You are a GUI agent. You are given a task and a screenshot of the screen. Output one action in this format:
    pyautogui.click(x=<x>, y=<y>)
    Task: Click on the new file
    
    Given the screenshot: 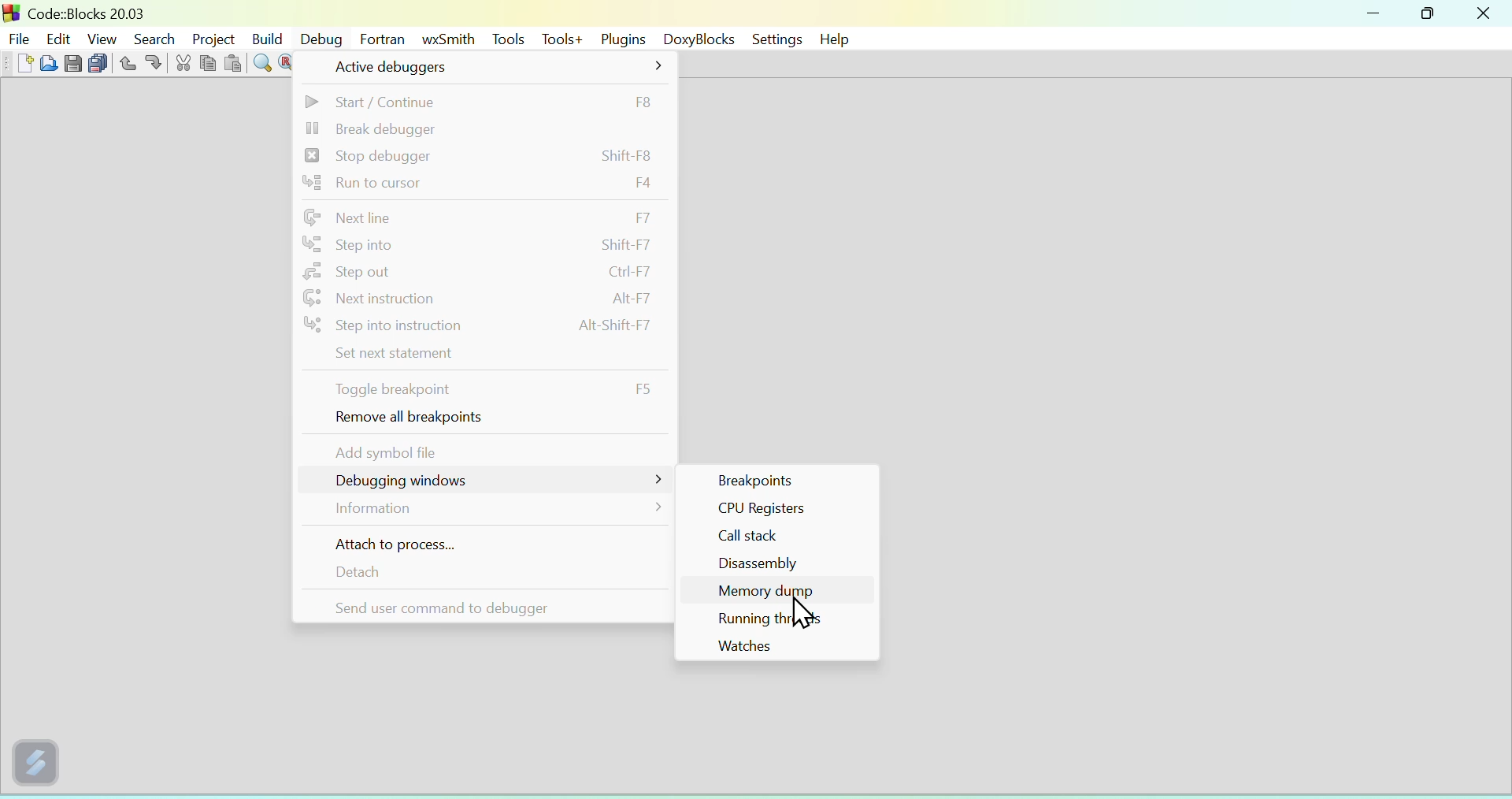 What is the action you would take?
    pyautogui.click(x=22, y=63)
    